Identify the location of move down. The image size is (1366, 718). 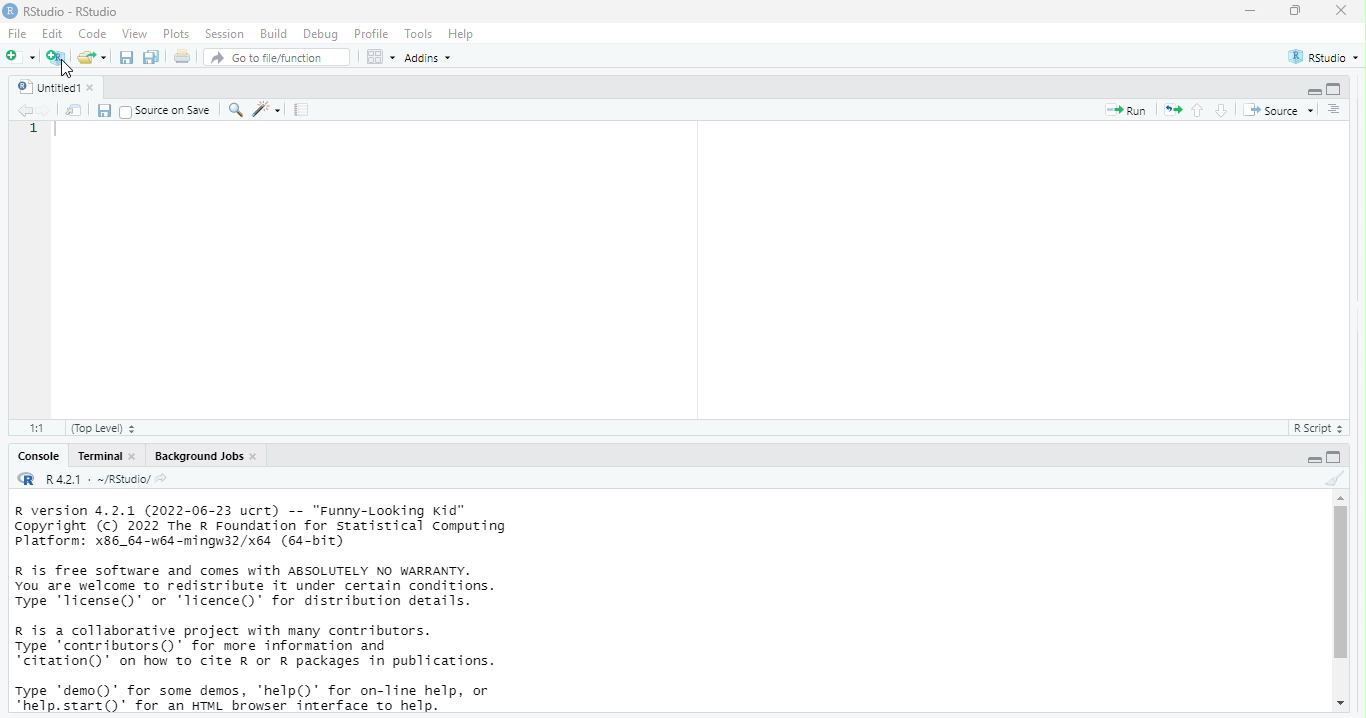
(1345, 703).